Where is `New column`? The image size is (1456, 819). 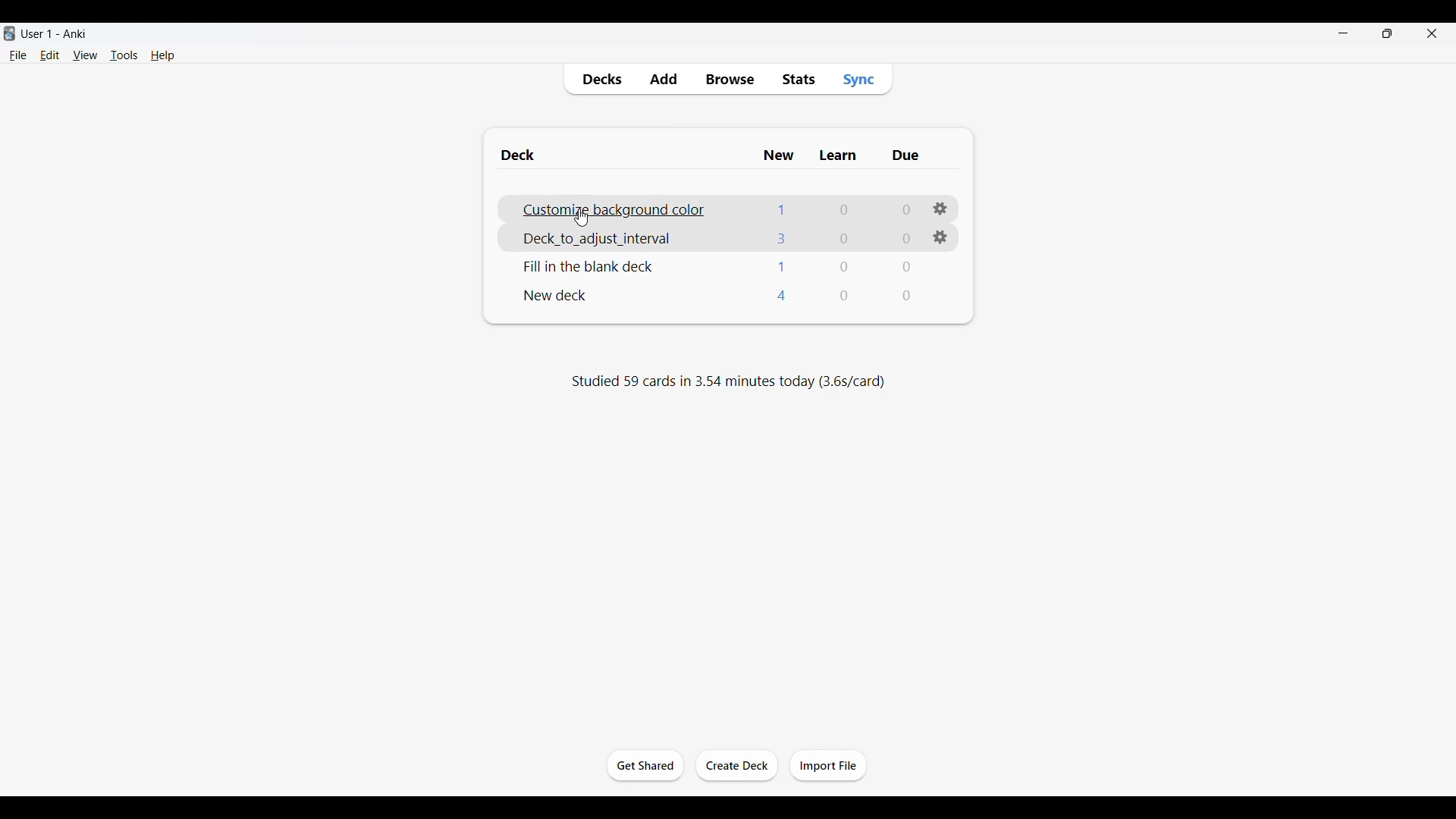 New column is located at coordinates (779, 155).